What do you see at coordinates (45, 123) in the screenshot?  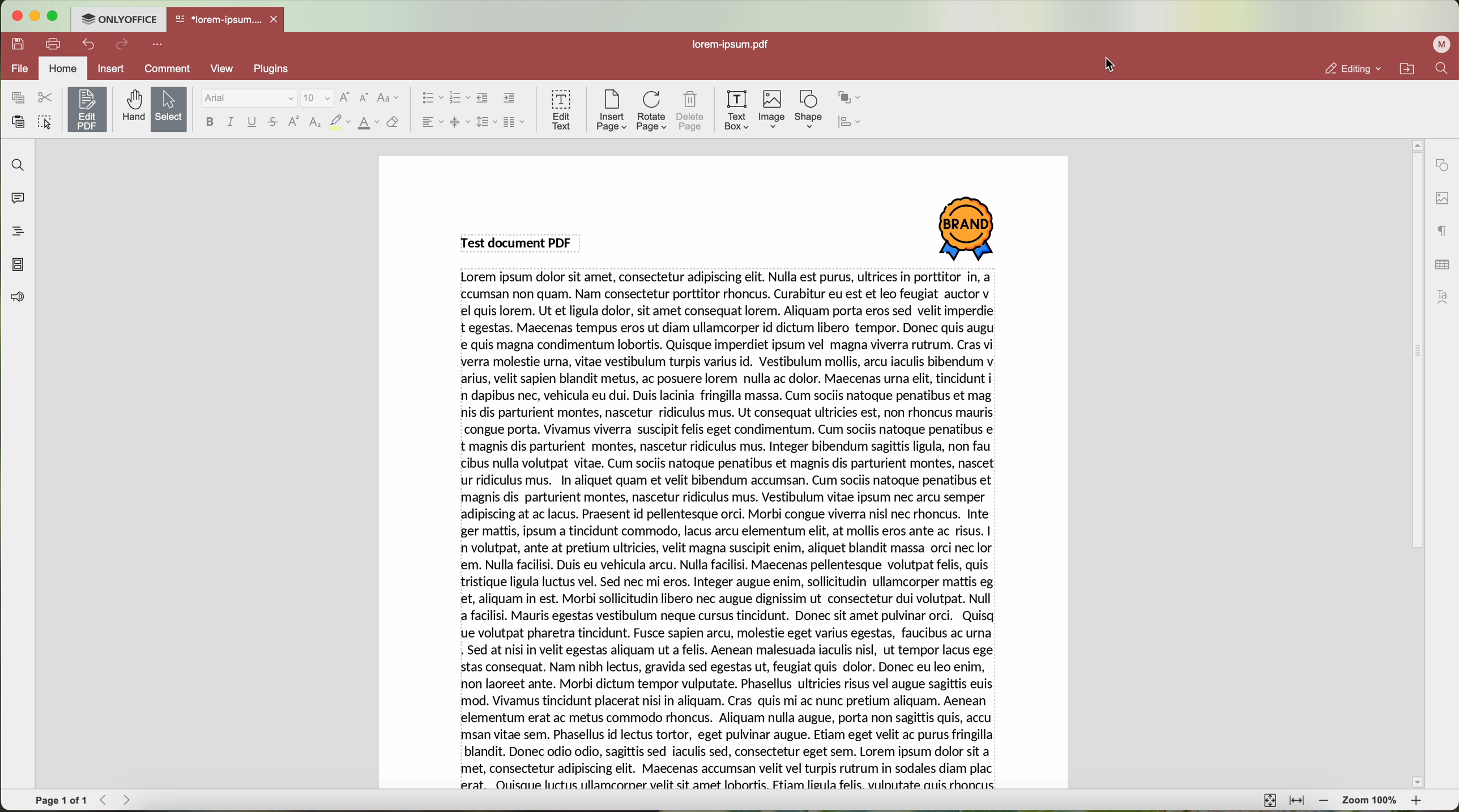 I see `select all` at bounding box center [45, 123].